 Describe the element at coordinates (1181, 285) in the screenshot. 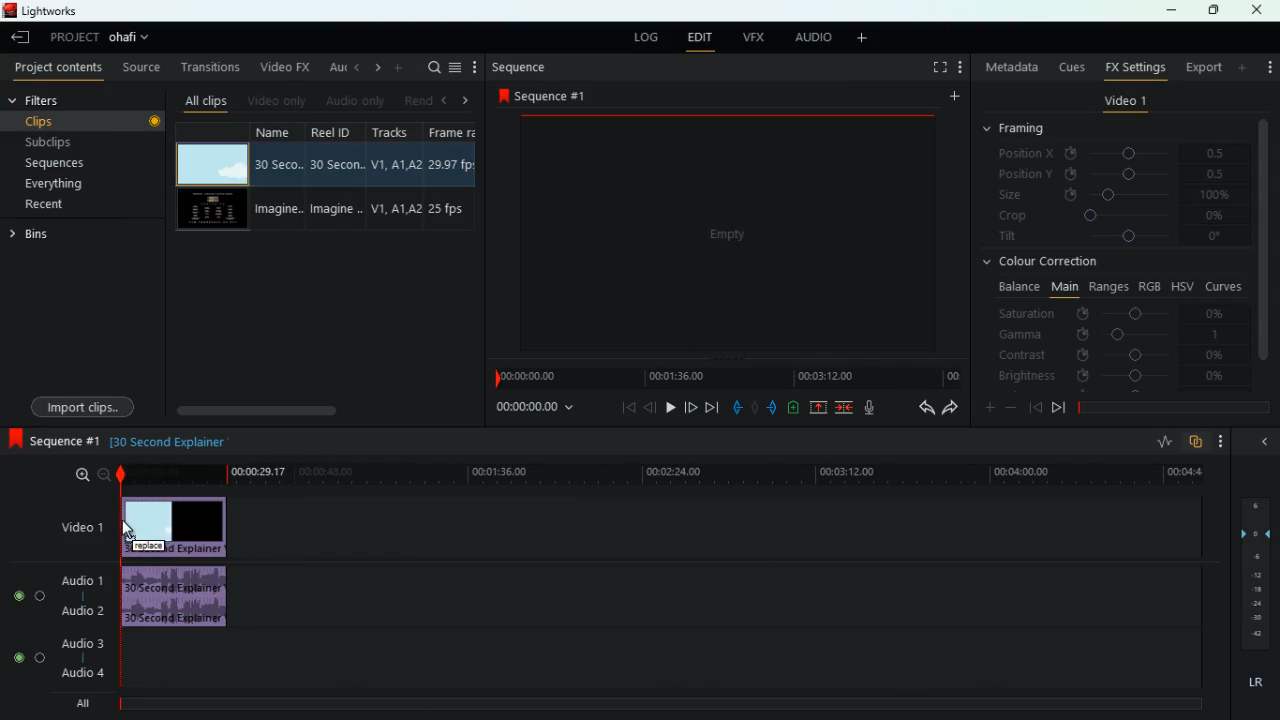

I see `hsv` at that location.